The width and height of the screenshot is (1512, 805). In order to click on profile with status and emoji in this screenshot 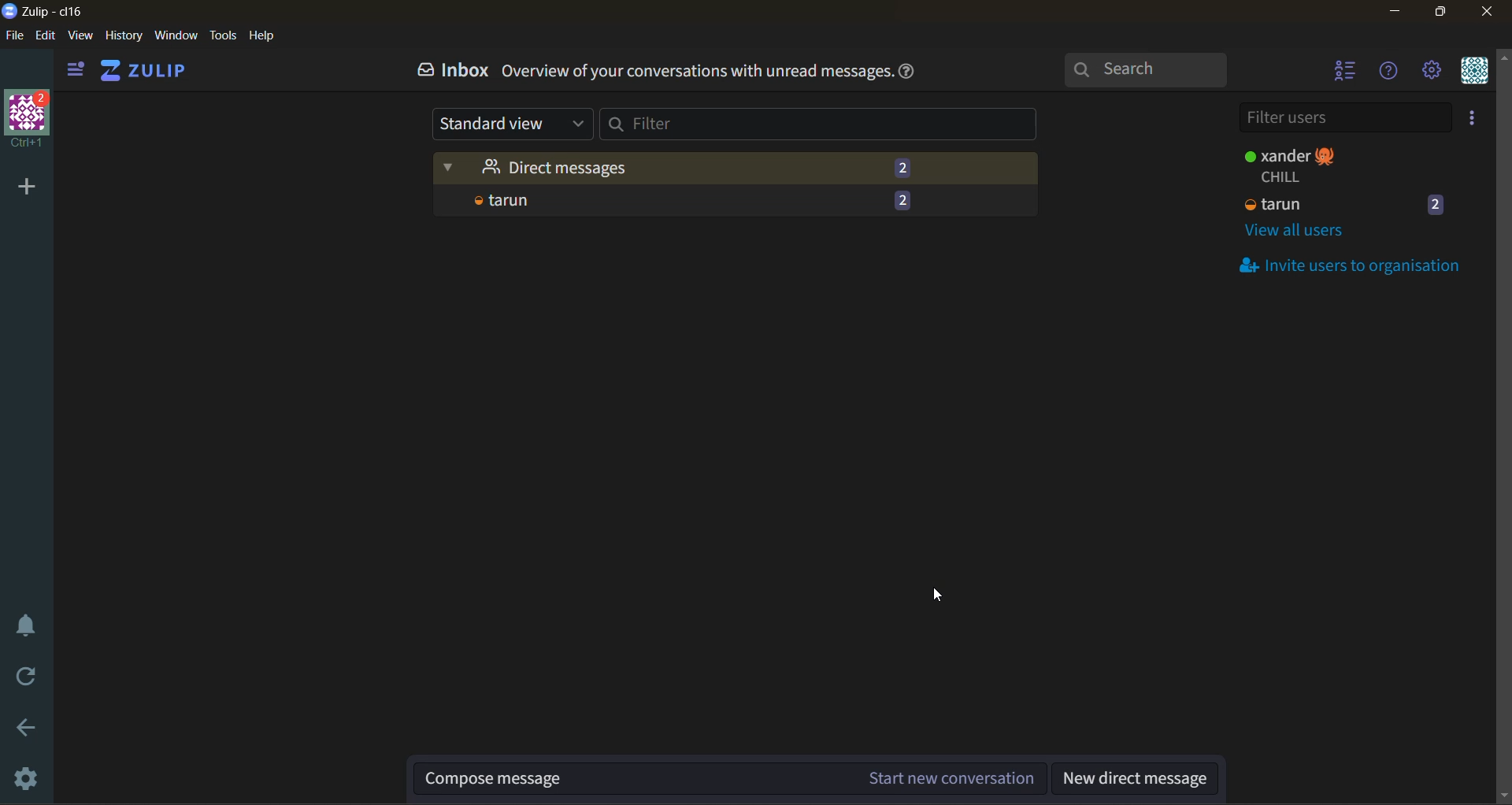, I will do `click(1295, 164)`.